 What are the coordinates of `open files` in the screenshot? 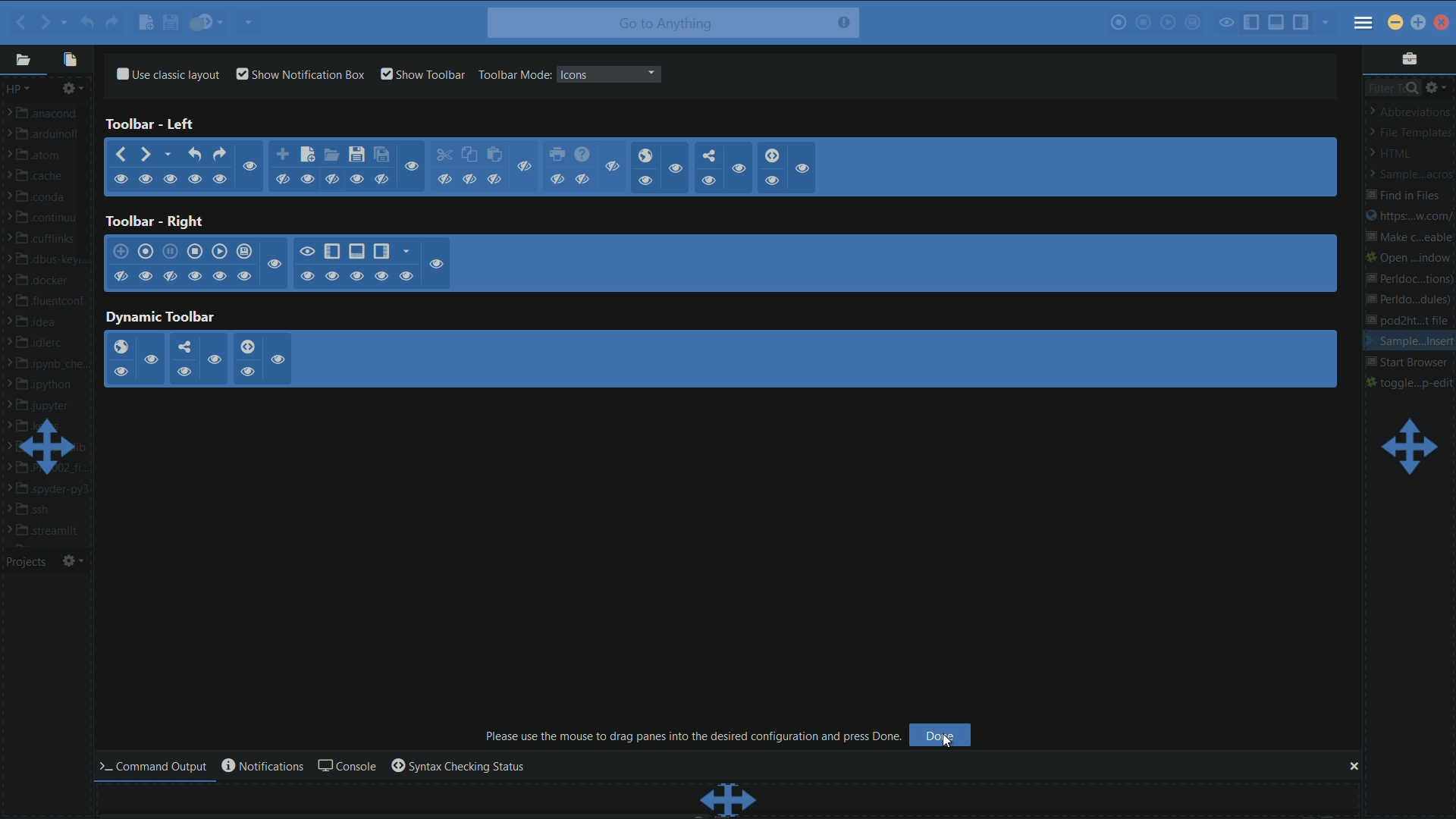 It's located at (71, 59).